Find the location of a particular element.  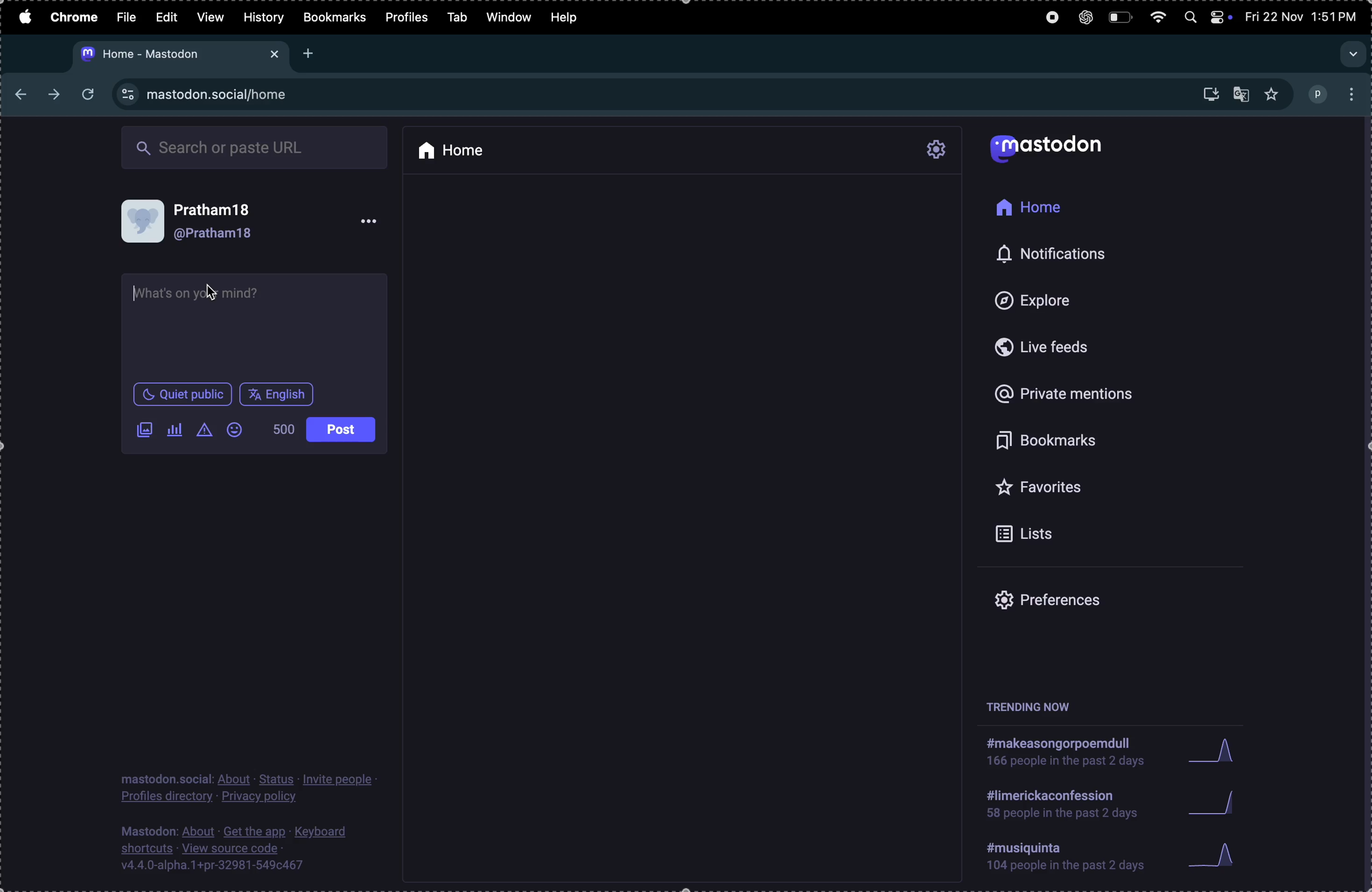

next is located at coordinates (56, 96).